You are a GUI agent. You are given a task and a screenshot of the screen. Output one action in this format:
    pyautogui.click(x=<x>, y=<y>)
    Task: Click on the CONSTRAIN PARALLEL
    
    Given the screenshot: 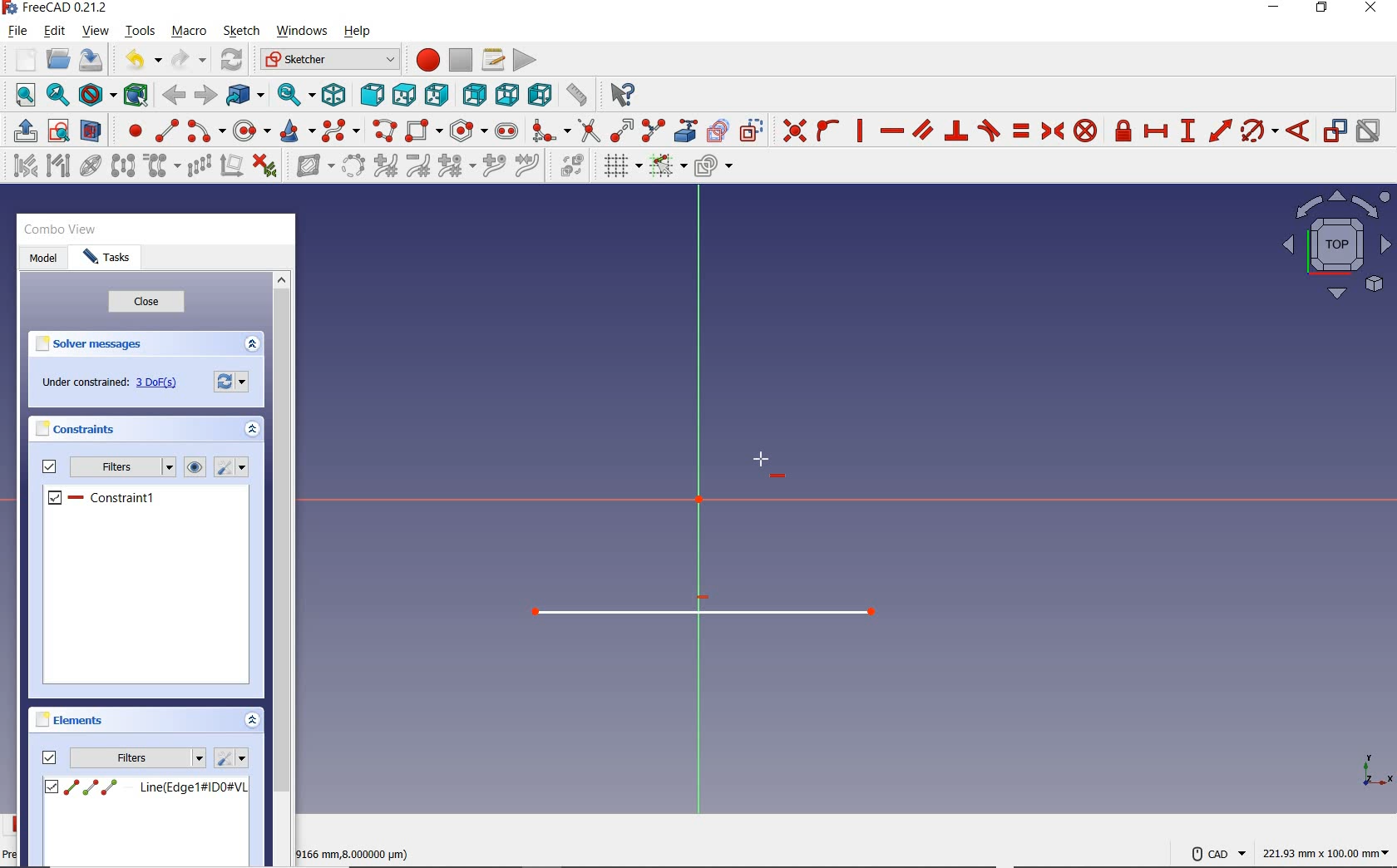 What is the action you would take?
    pyautogui.click(x=923, y=129)
    